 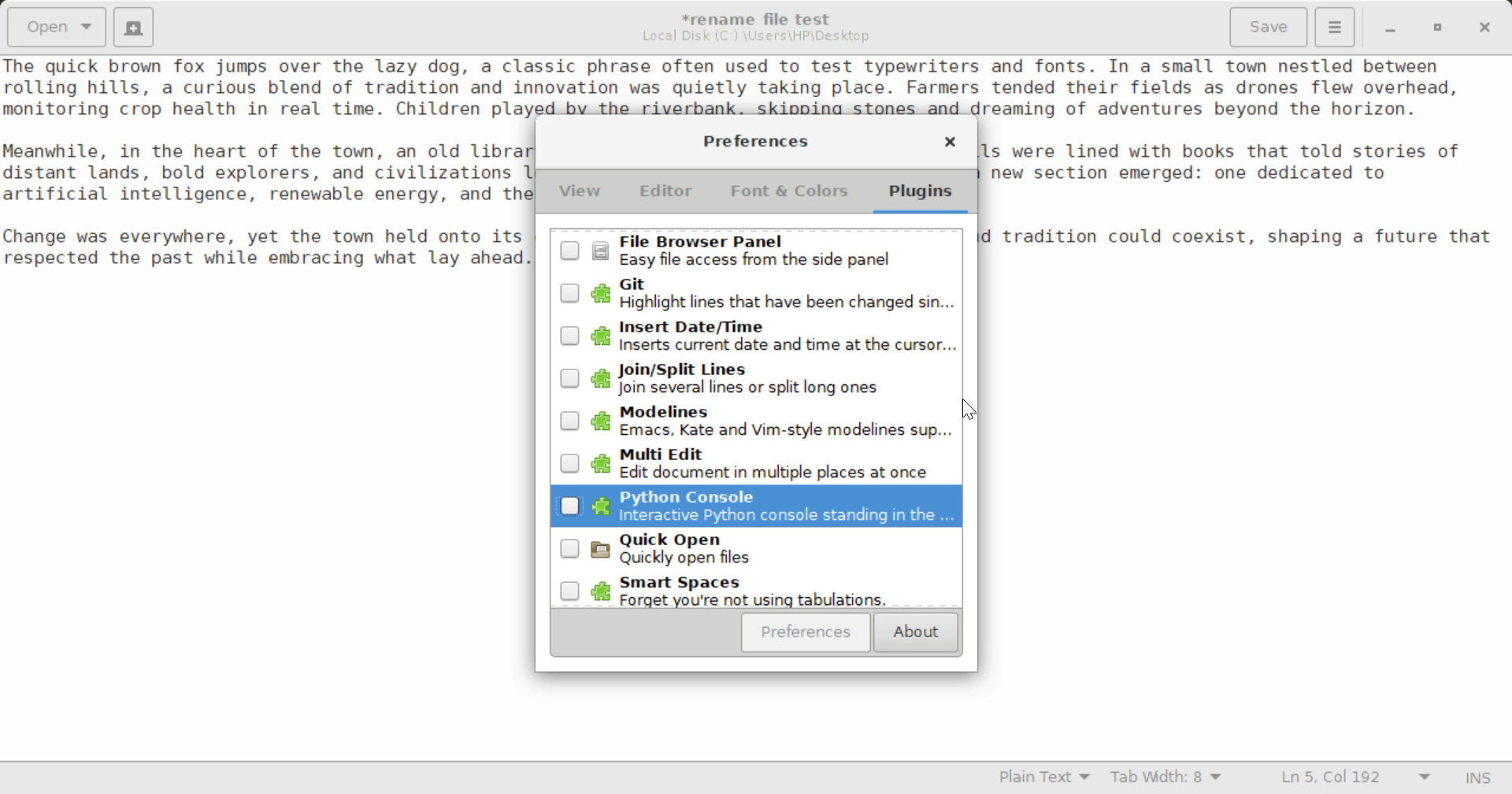 What do you see at coordinates (1356, 779) in the screenshot?
I see `Line & Character Count` at bounding box center [1356, 779].